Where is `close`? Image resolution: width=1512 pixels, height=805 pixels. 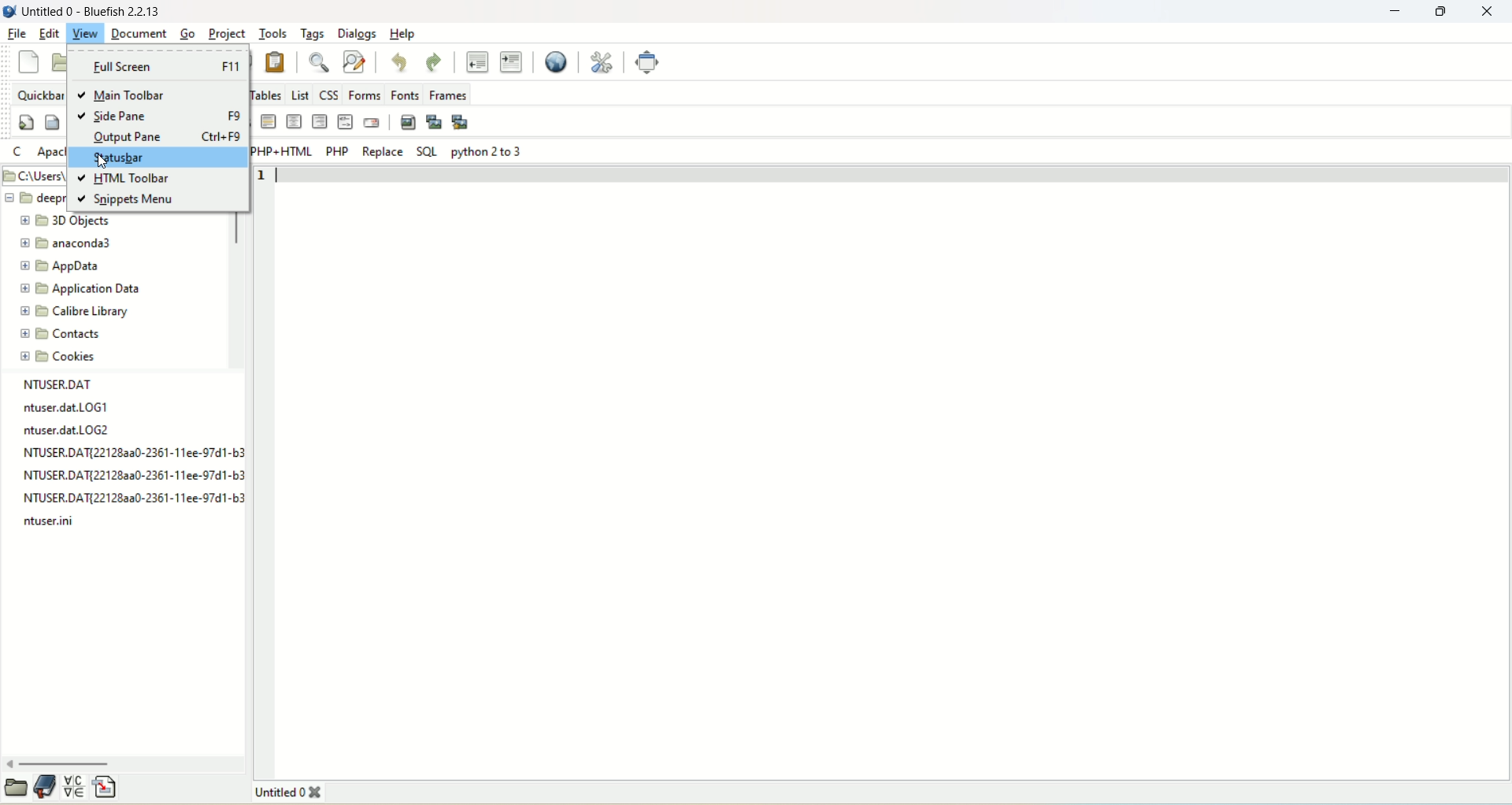
close is located at coordinates (1490, 13).